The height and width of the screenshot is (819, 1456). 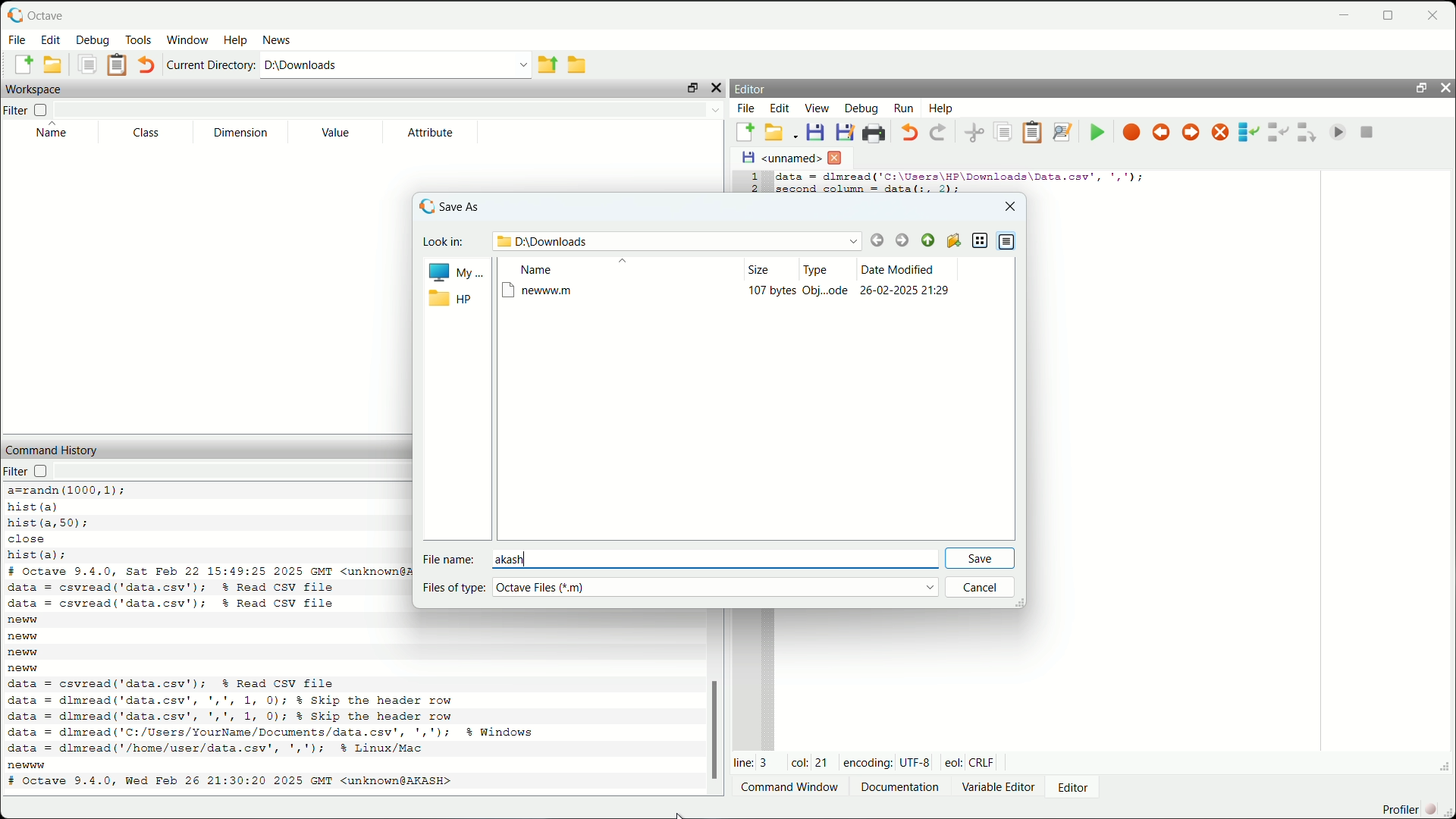 I want to click on paste, so click(x=118, y=67).